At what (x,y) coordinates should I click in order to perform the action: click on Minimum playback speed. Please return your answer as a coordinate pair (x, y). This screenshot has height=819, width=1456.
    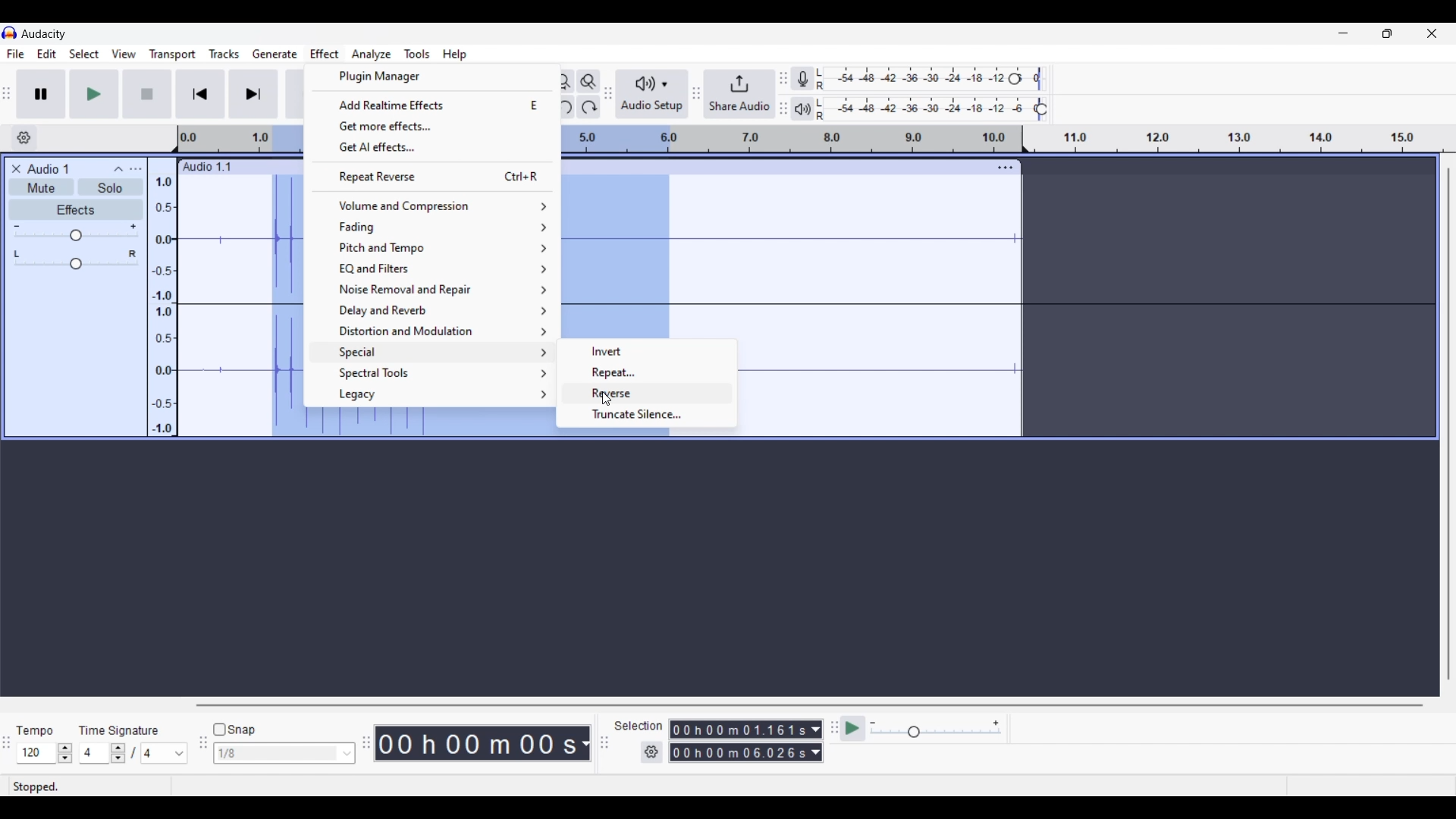
    Looking at the image, I should click on (873, 723).